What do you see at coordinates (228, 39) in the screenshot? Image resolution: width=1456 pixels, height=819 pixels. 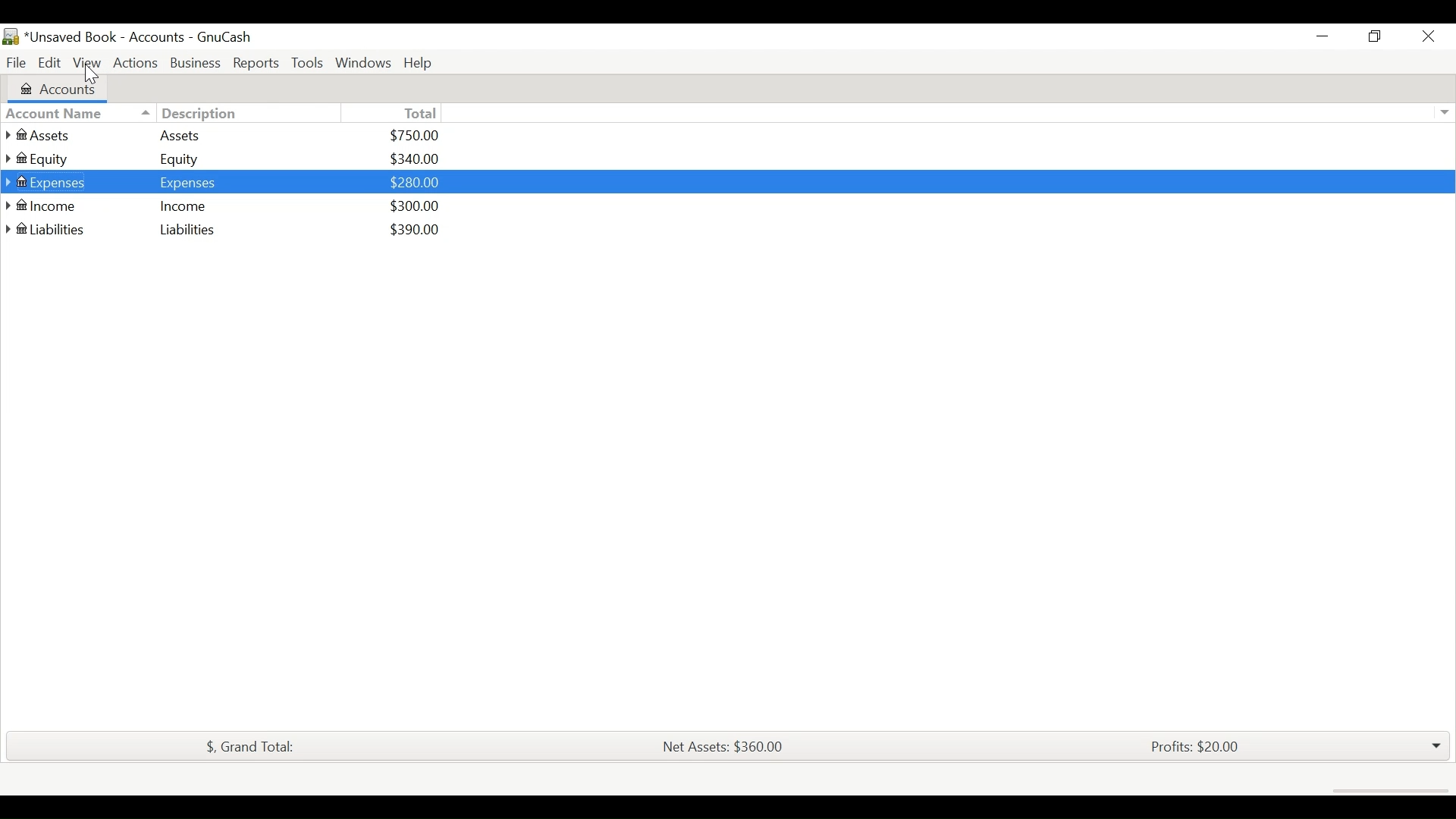 I see `GnuCash` at bounding box center [228, 39].